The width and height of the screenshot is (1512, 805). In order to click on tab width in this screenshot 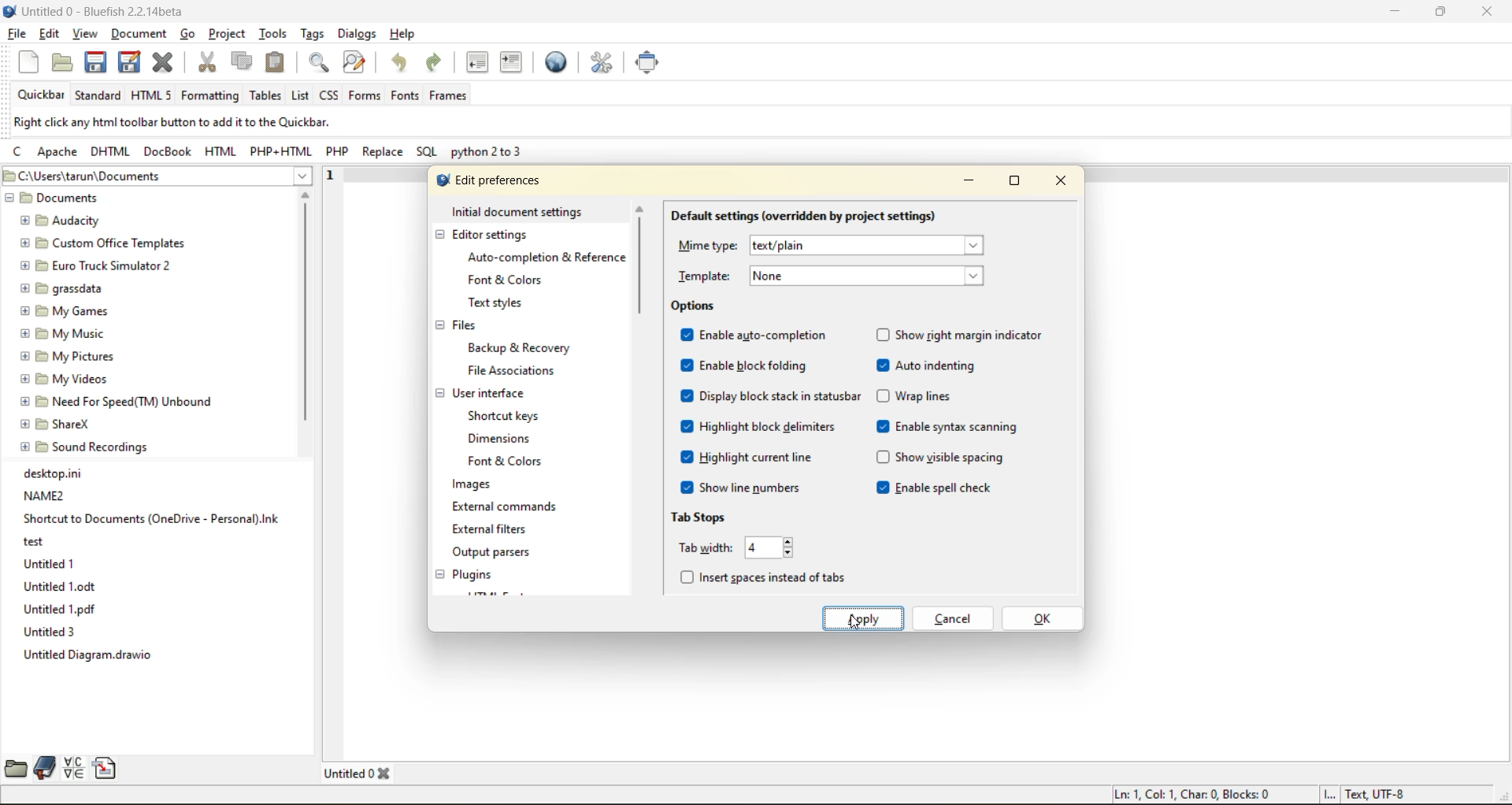, I will do `click(704, 547)`.